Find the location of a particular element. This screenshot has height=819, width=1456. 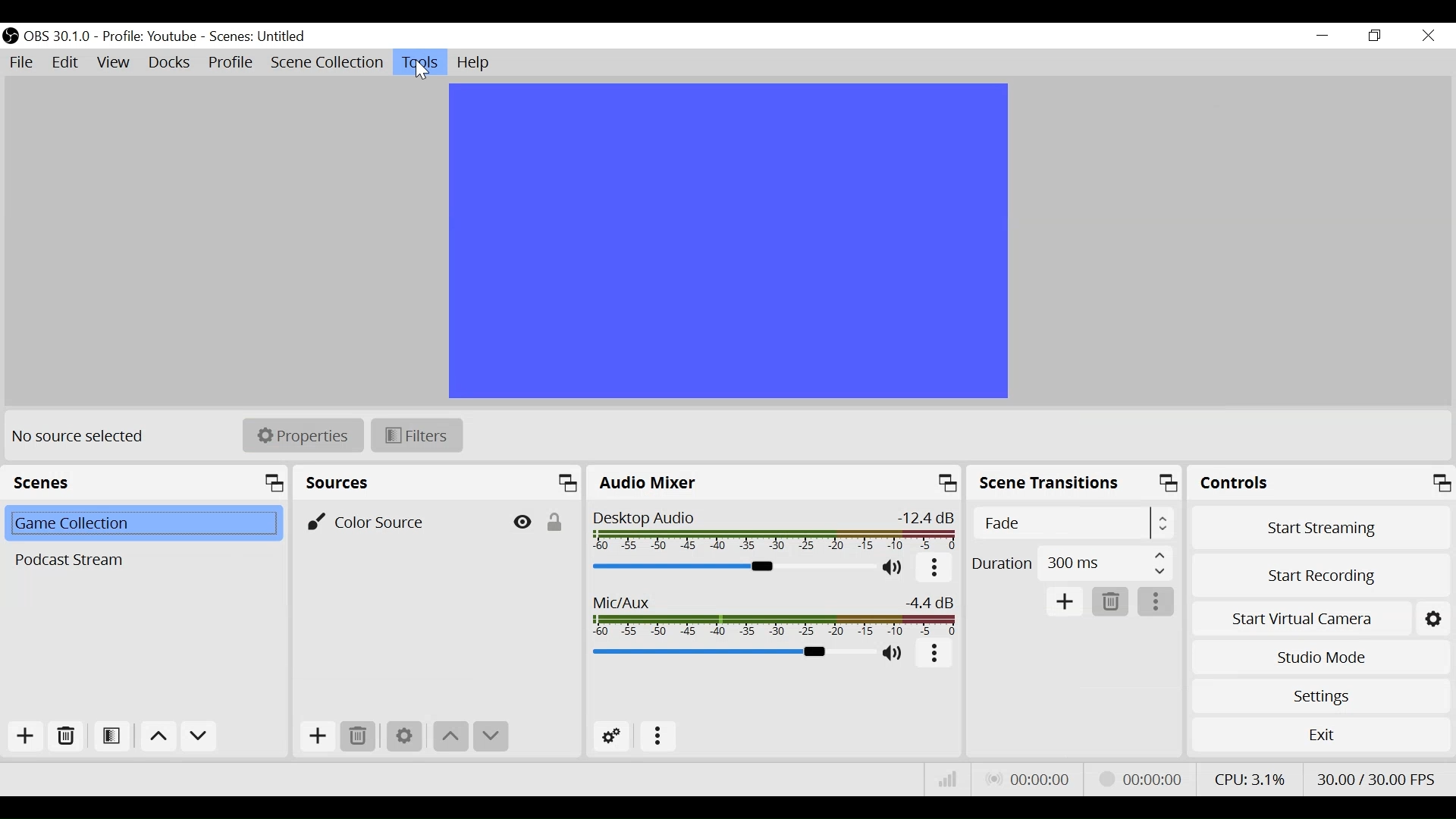

Preview is located at coordinates (726, 240).